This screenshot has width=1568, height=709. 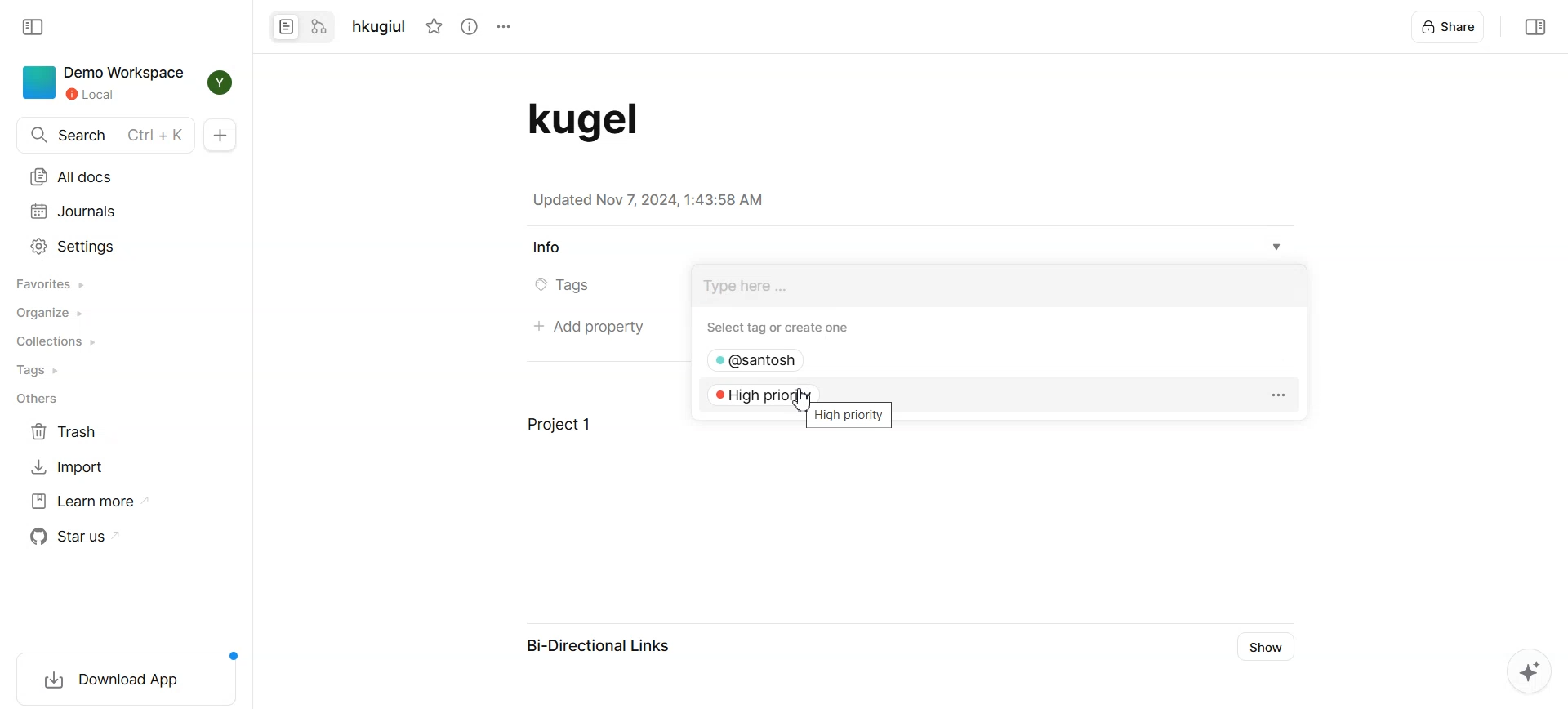 What do you see at coordinates (1287, 247) in the screenshot?
I see `Info dropdown box` at bounding box center [1287, 247].